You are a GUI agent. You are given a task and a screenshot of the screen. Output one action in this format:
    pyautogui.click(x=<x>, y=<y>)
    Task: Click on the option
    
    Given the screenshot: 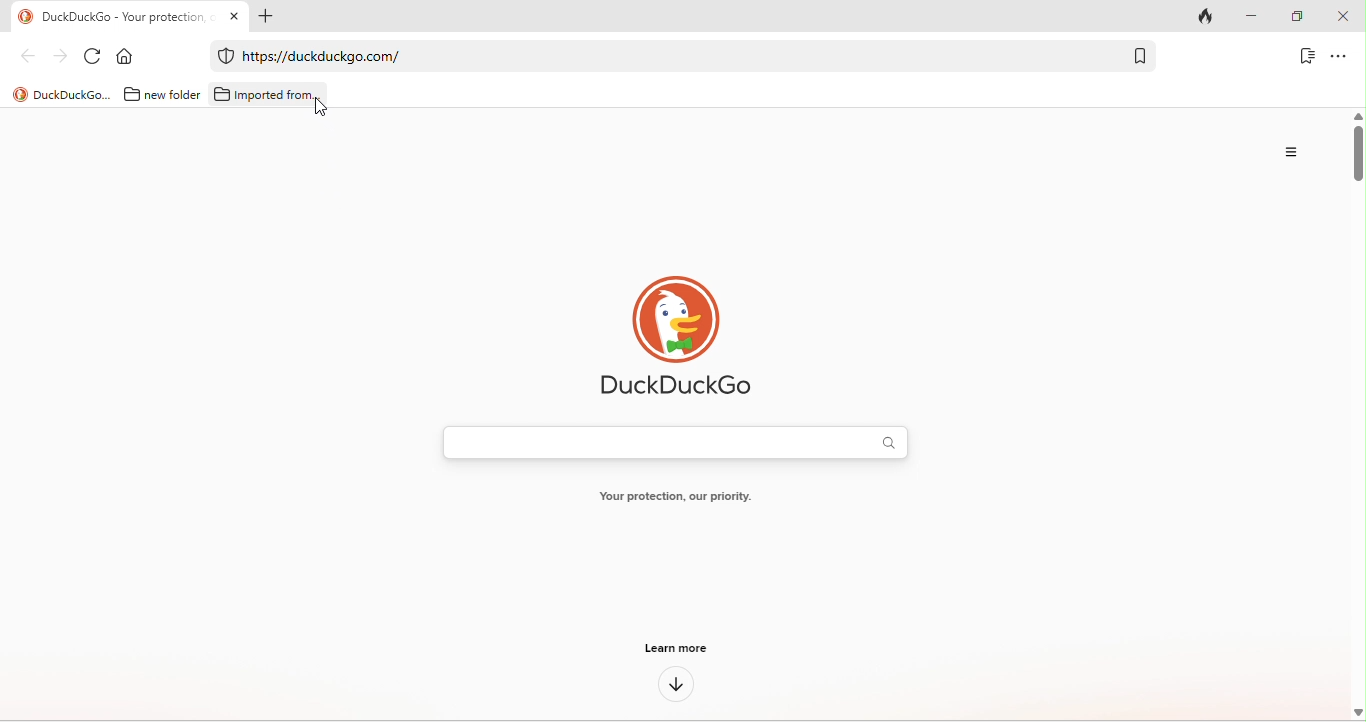 What is the action you would take?
    pyautogui.click(x=1288, y=155)
    